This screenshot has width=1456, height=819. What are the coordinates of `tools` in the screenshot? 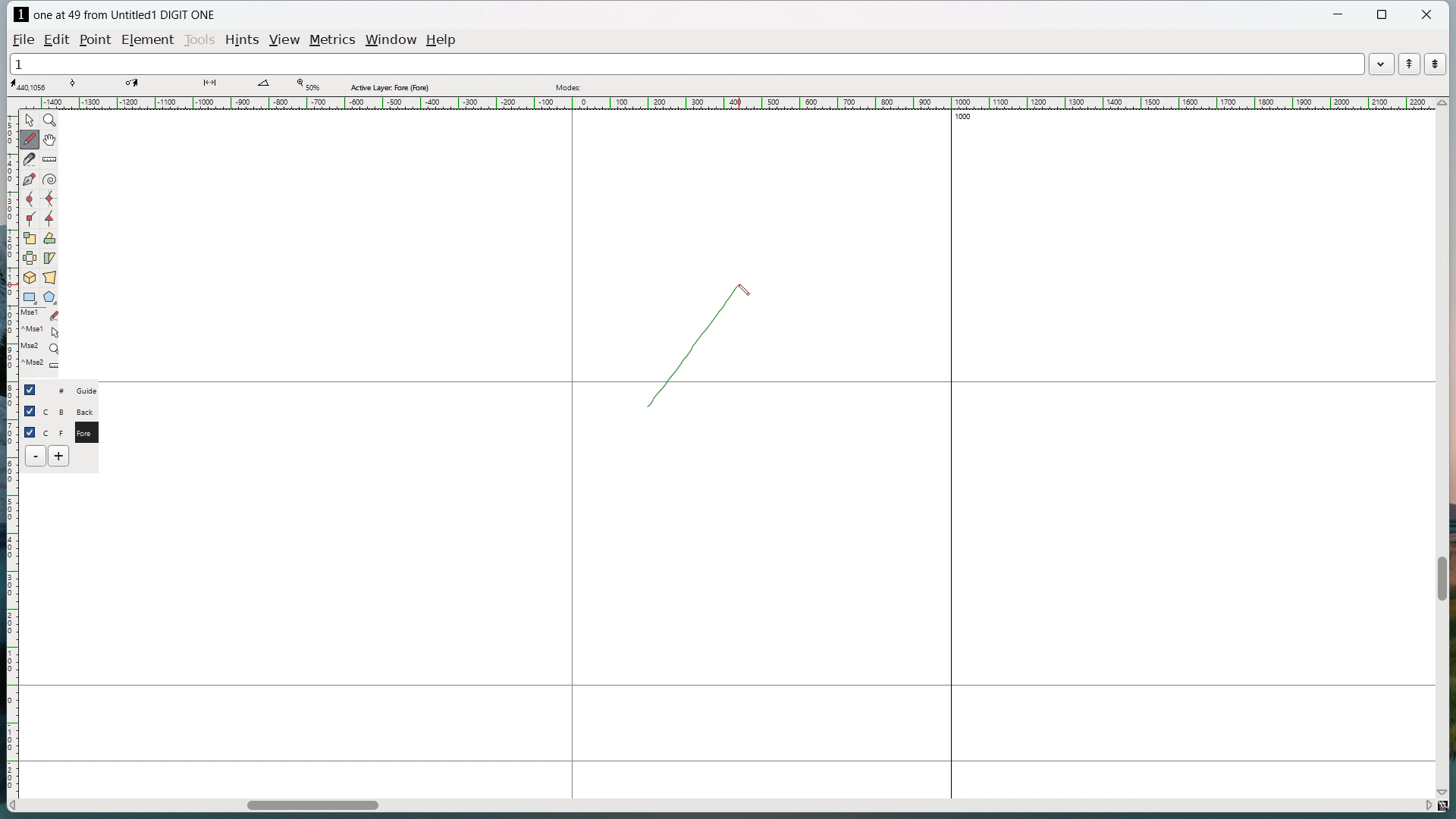 It's located at (199, 41).